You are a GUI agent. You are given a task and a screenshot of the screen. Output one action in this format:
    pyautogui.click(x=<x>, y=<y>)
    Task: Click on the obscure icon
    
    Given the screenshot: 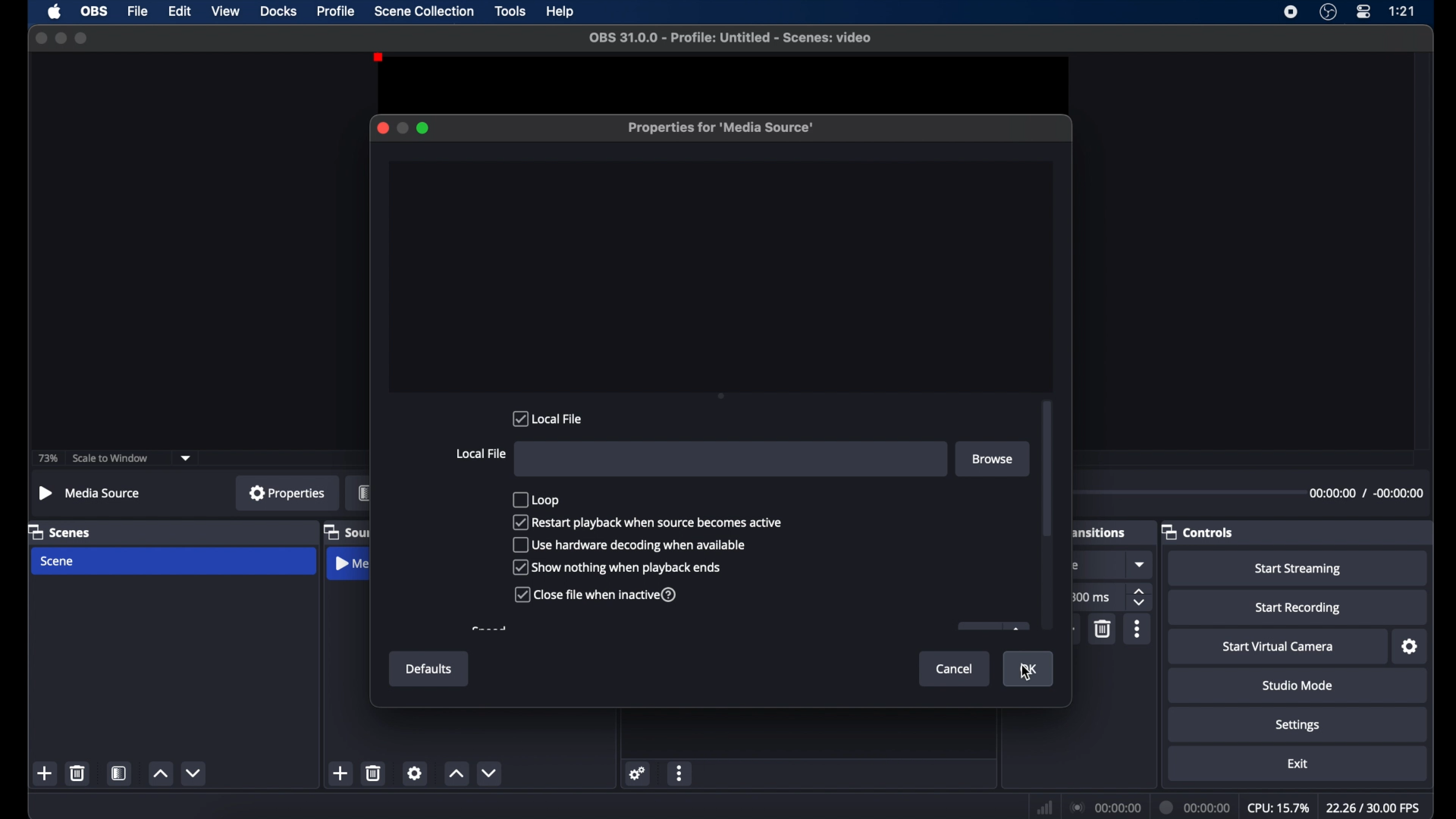 What is the action you would take?
    pyautogui.click(x=992, y=626)
    